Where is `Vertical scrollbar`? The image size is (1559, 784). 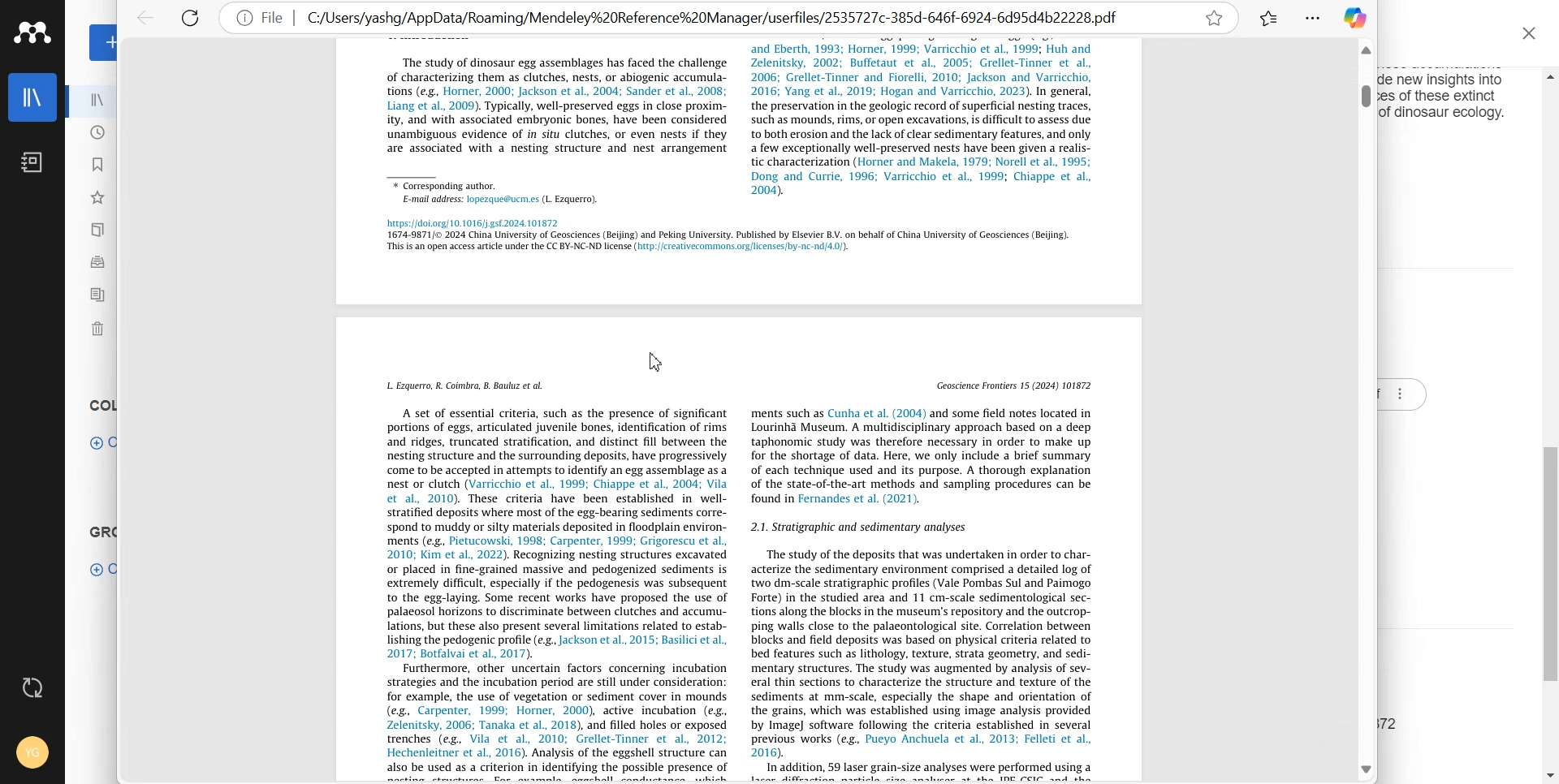 Vertical scrollbar is located at coordinates (1549, 563).